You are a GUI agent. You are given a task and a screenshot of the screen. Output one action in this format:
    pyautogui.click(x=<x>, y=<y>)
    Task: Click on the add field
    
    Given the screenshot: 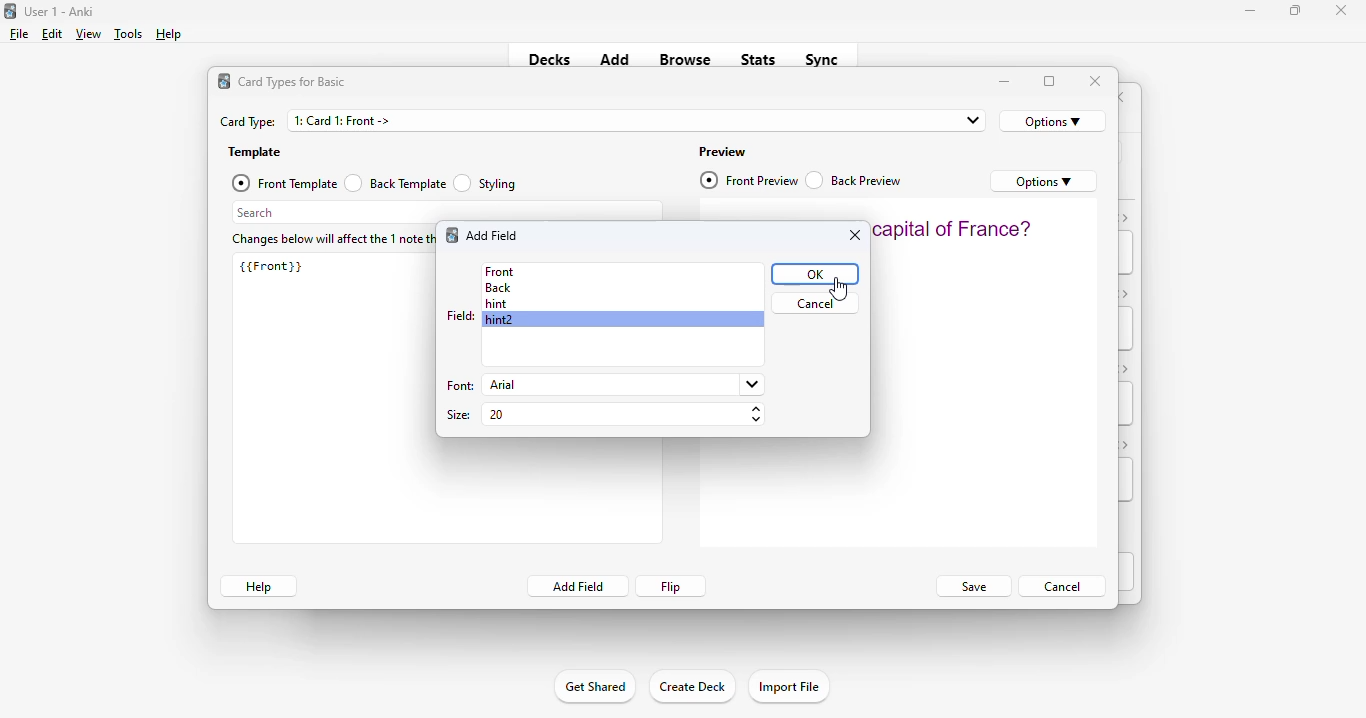 What is the action you would take?
    pyautogui.click(x=493, y=235)
    